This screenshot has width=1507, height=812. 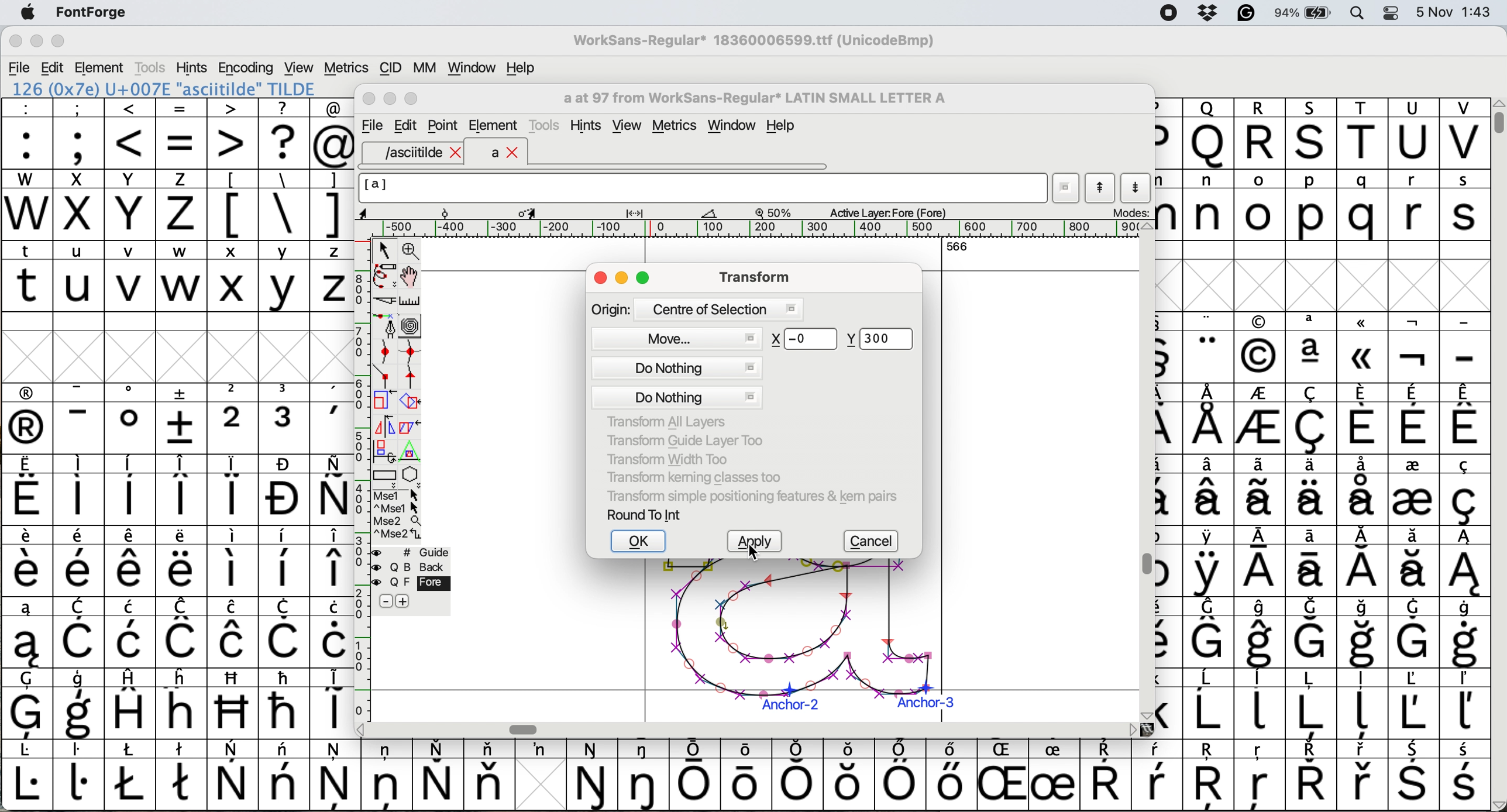 I want to click on symbol, so click(x=1466, y=418).